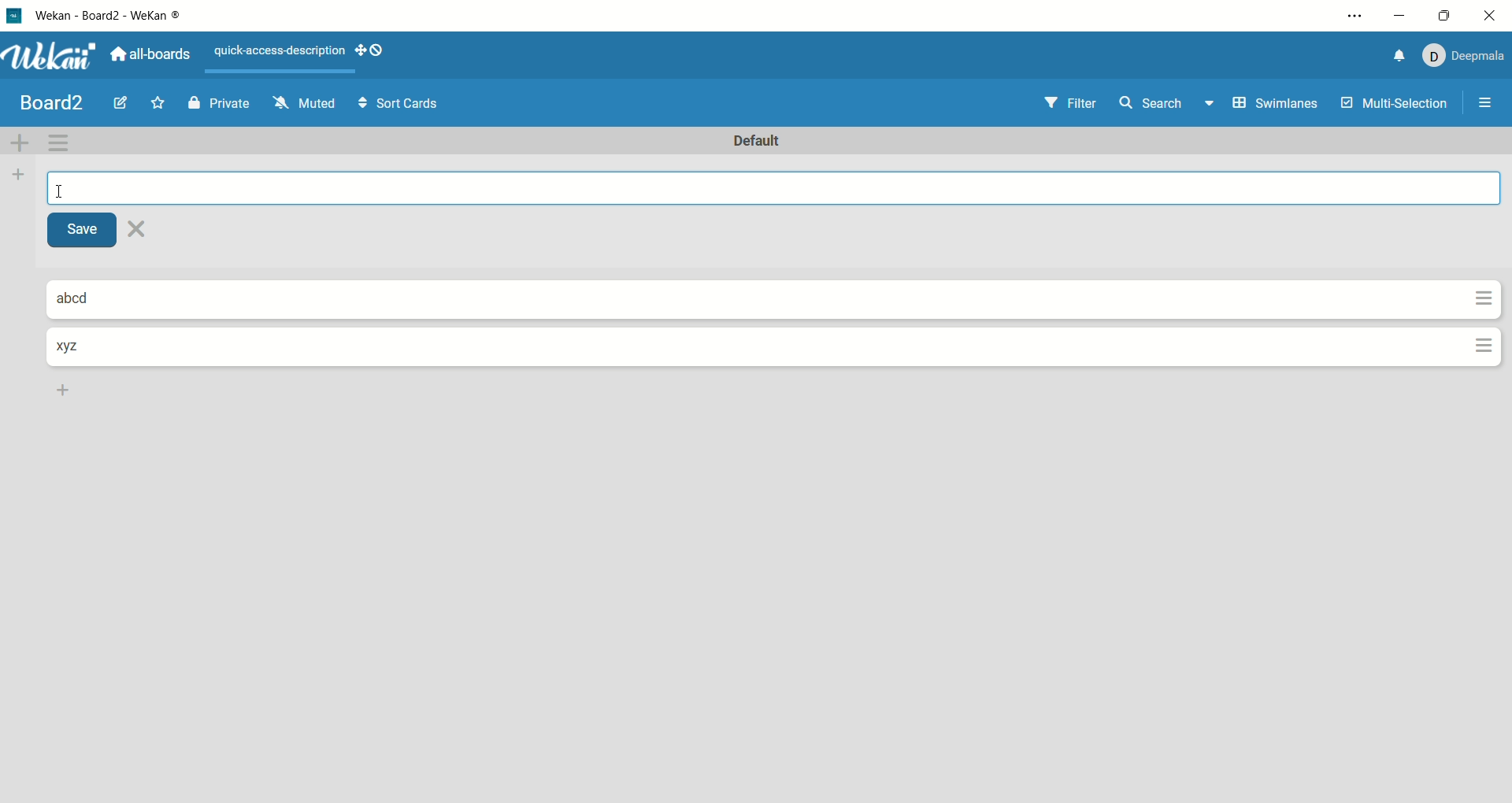 Image resolution: width=1512 pixels, height=803 pixels. Describe the element at coordinates (87, 231) in the screenshot. I see `save` at that location.